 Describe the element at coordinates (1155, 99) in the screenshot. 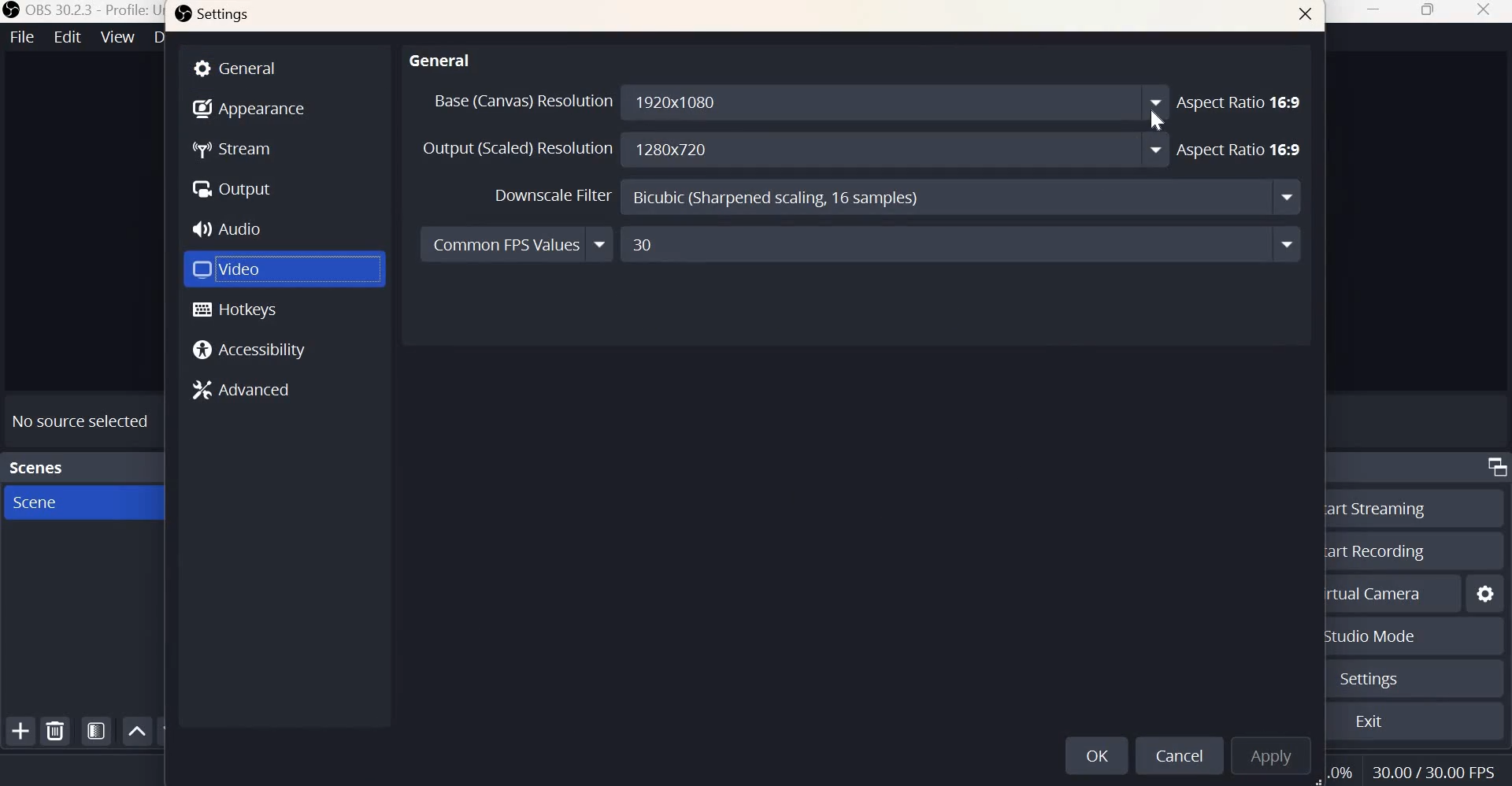

I see `dropdown` at that location.